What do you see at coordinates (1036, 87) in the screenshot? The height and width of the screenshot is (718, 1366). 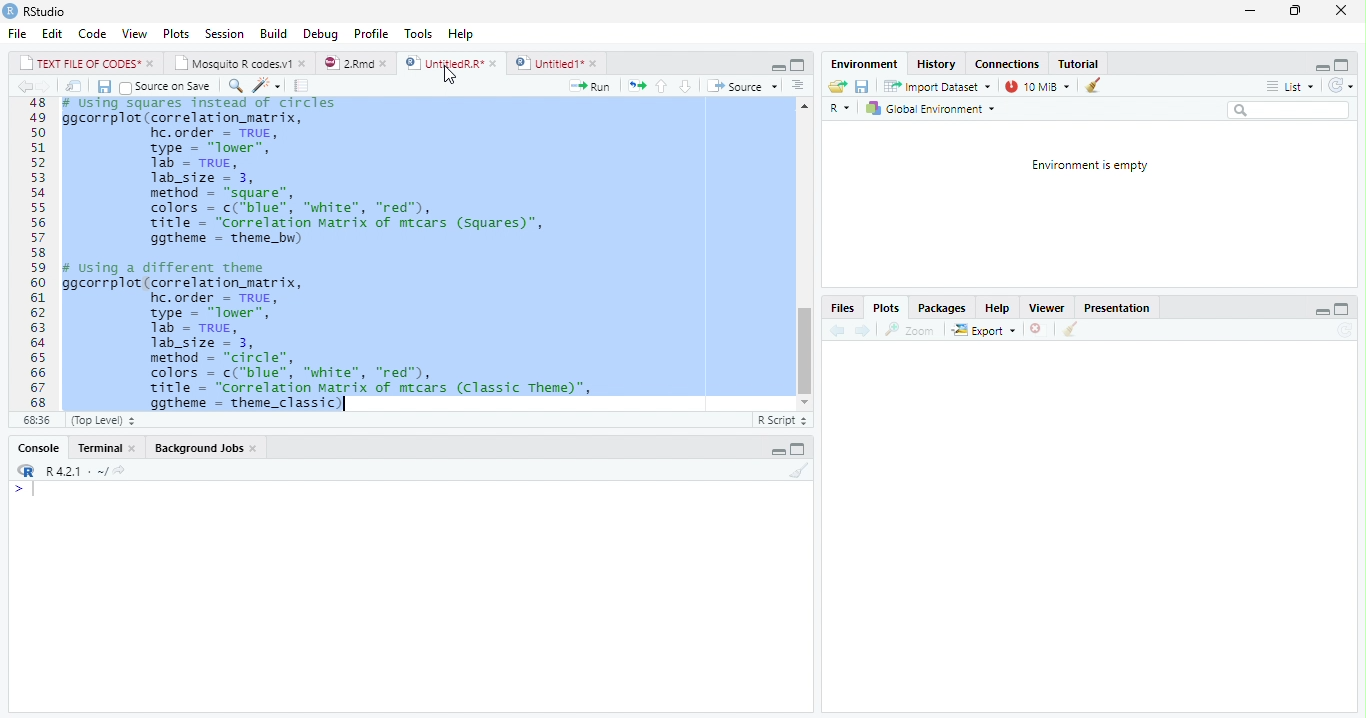 I see `9 mb` at bounding box center [1036, 87].